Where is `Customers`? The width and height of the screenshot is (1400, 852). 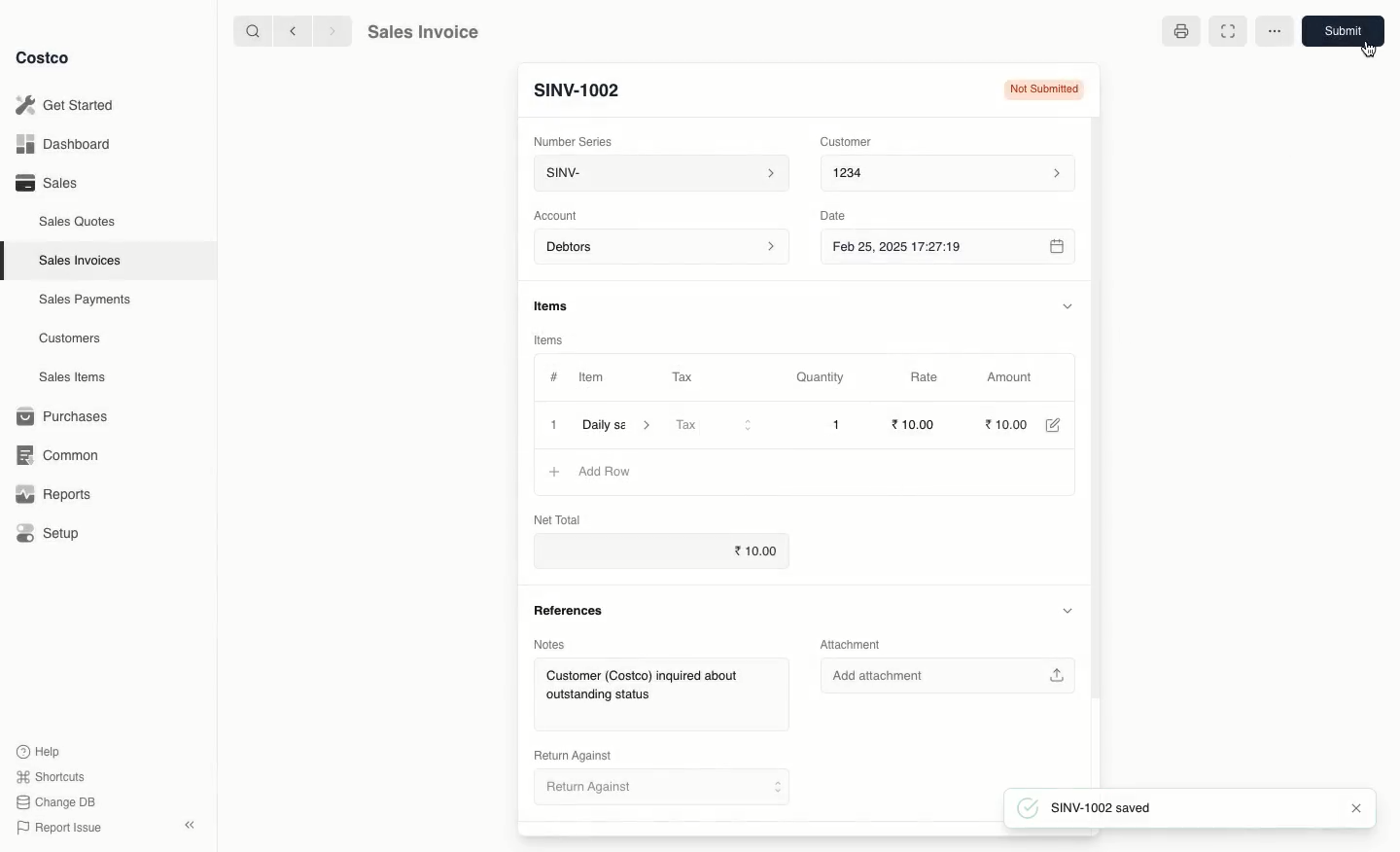 Customers is located at coordinates (68, 337).